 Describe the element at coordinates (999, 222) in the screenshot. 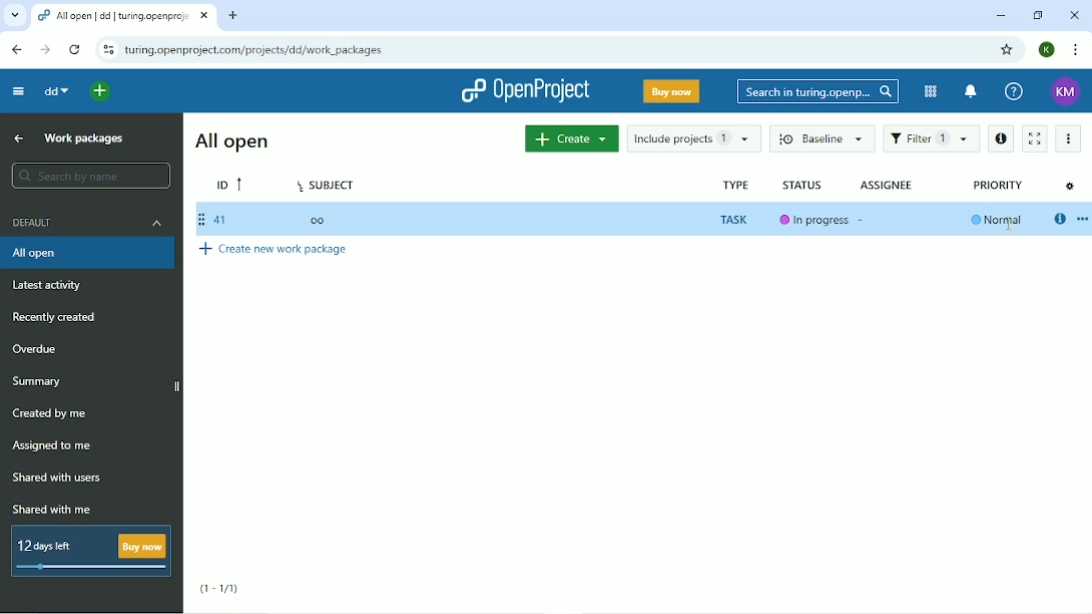

I see `Normal` at that location.